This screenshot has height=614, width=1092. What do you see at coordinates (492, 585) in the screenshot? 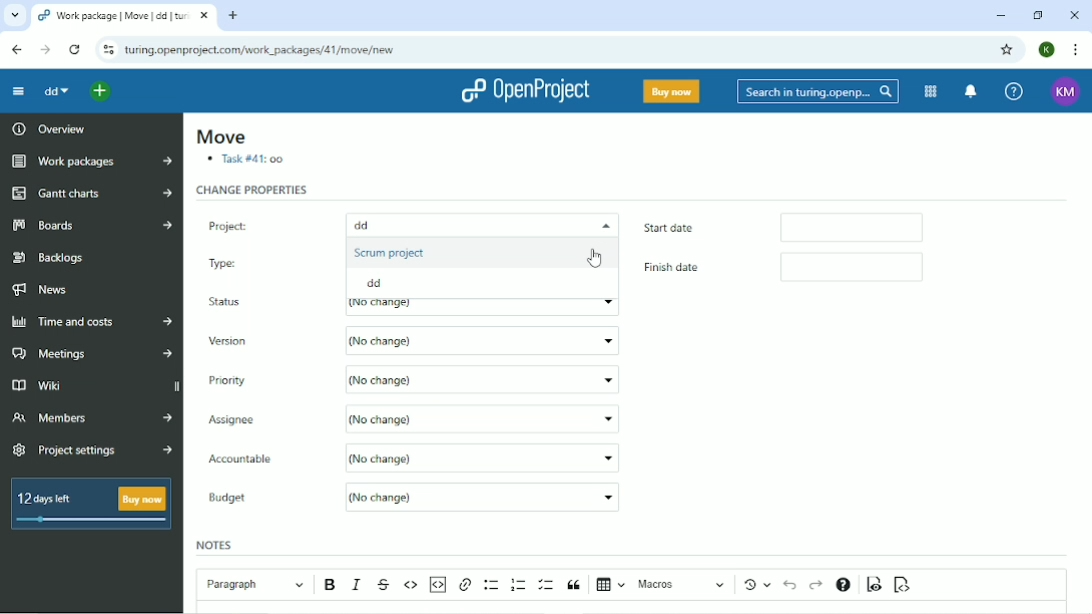
I see `Bulleted list` at bounding box center [492, 585].